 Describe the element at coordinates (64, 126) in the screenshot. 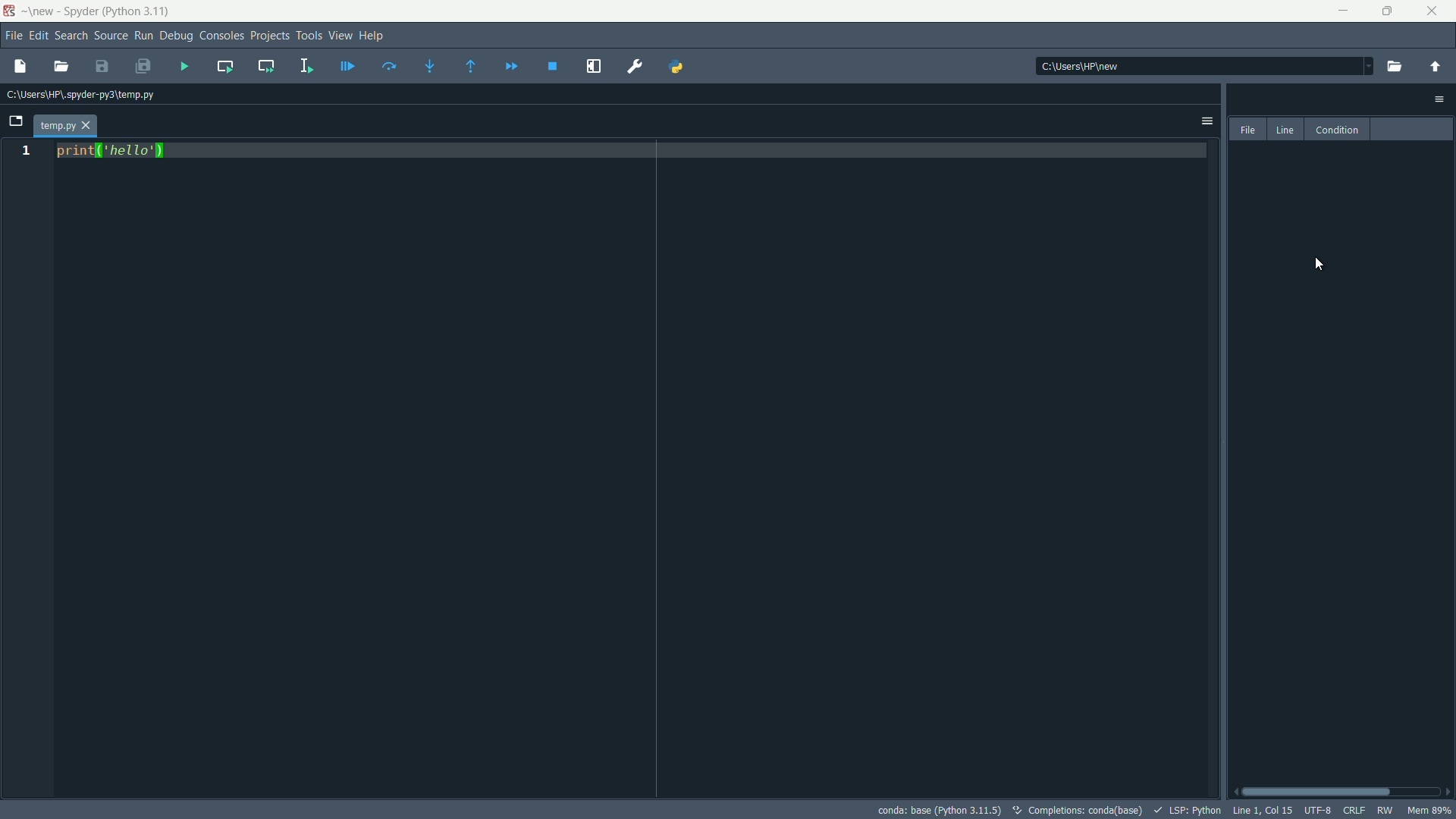

I see `temp.py tab` at that location.